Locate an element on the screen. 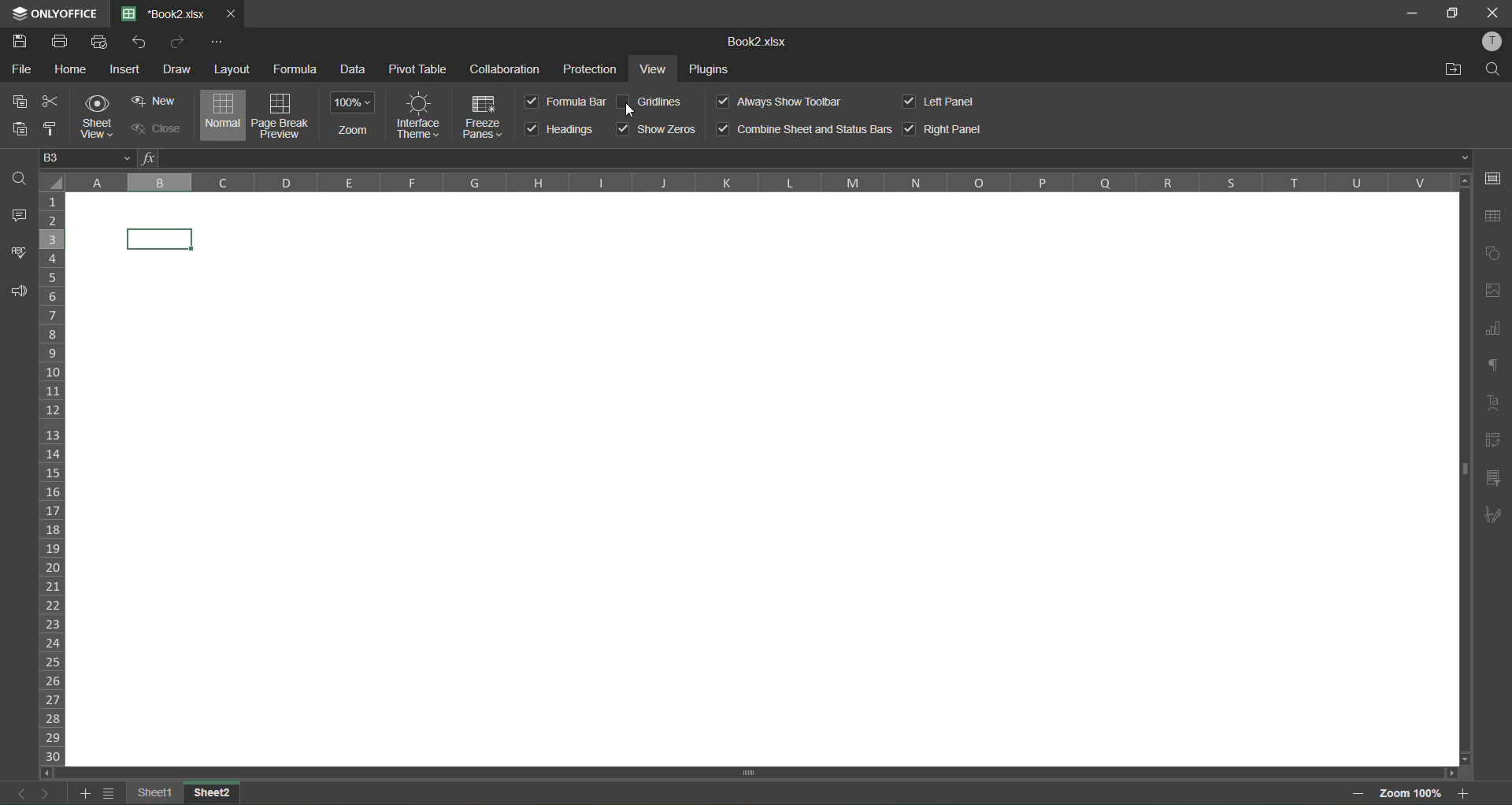  signature is located at coordinates (1493, 517).